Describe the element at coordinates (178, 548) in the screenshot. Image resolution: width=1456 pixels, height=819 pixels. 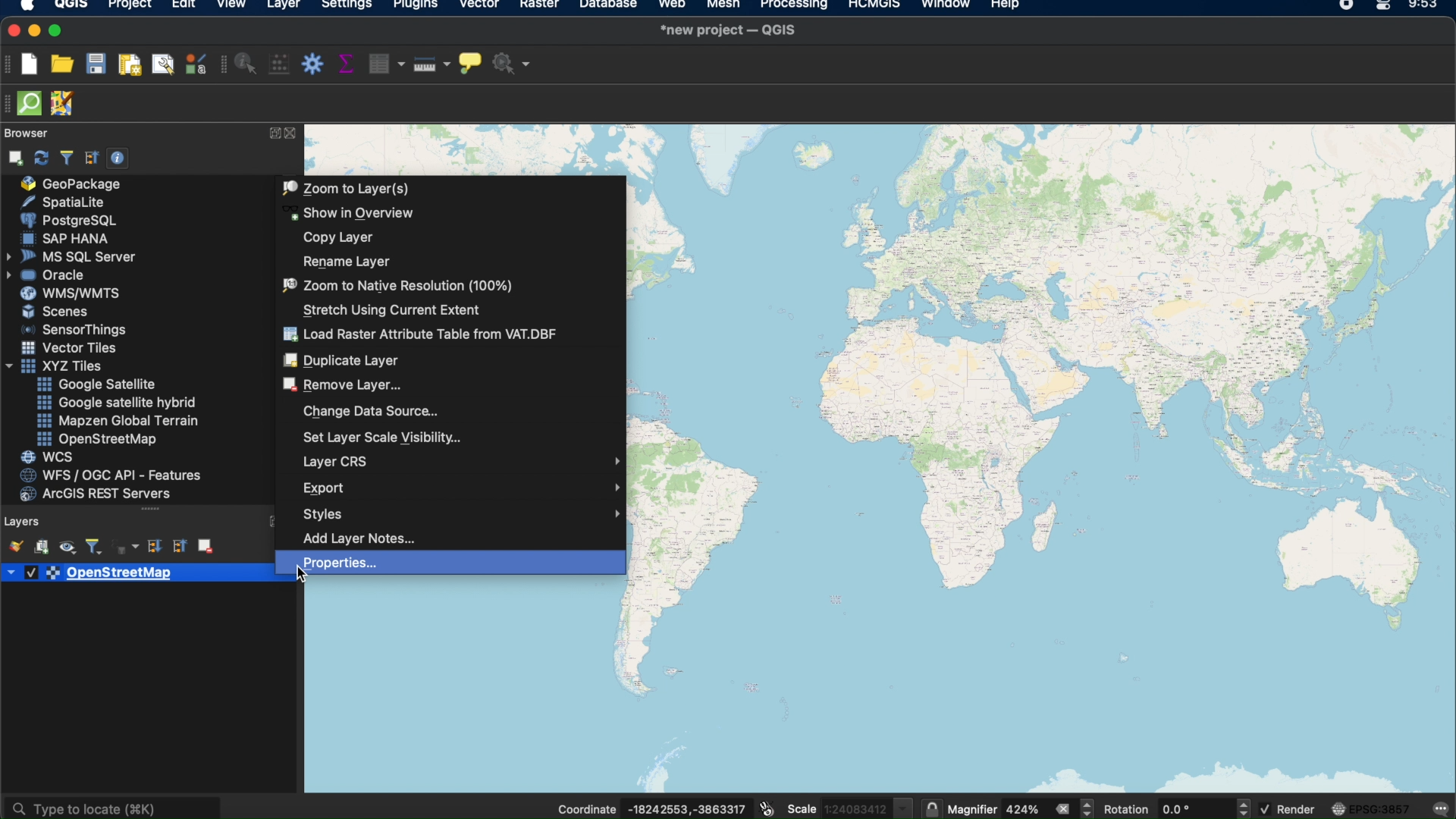
I see `collapse all` at that location.